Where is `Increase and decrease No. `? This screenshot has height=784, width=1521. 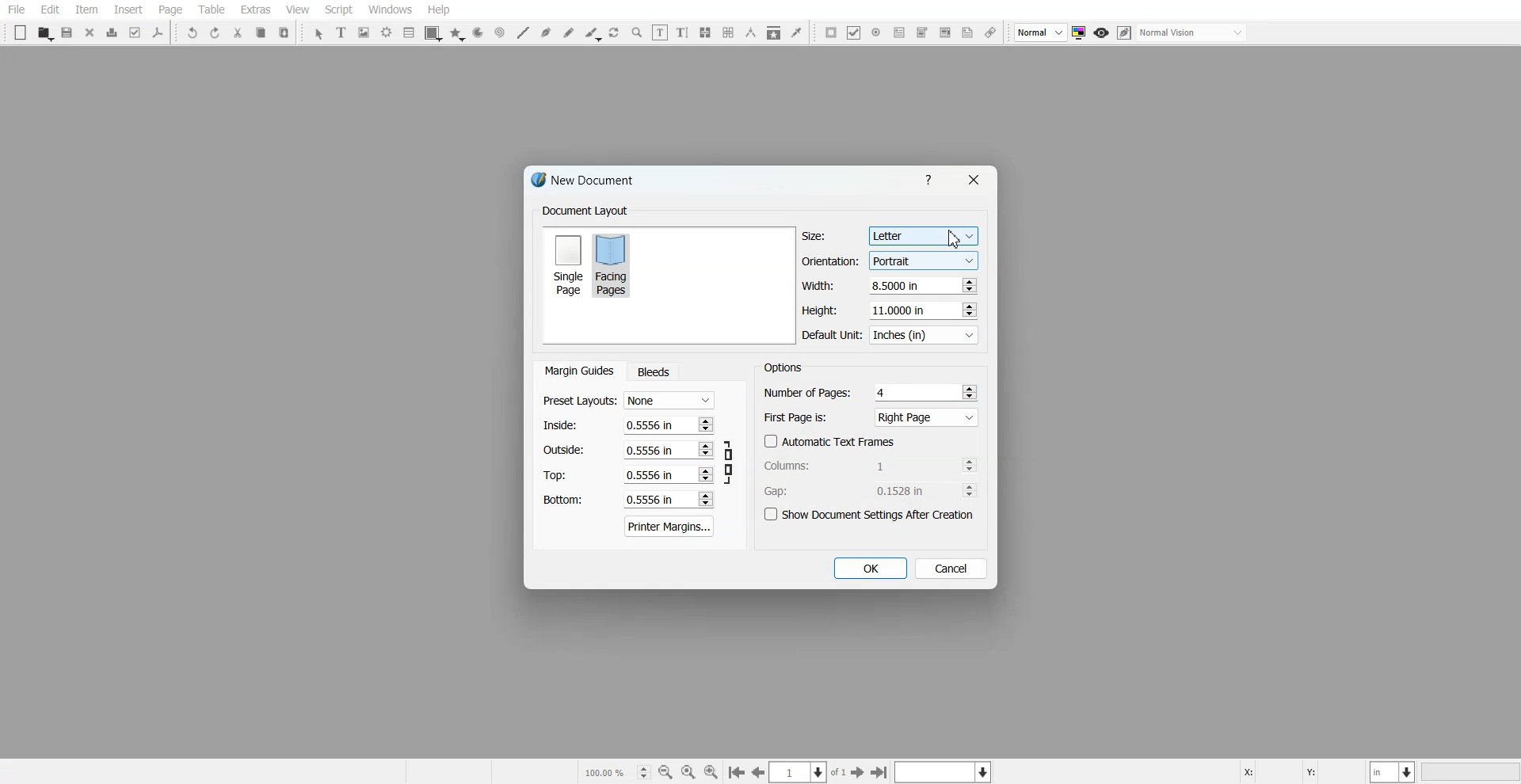
Increase and decrease No.  is located at coordinates (967, 310).